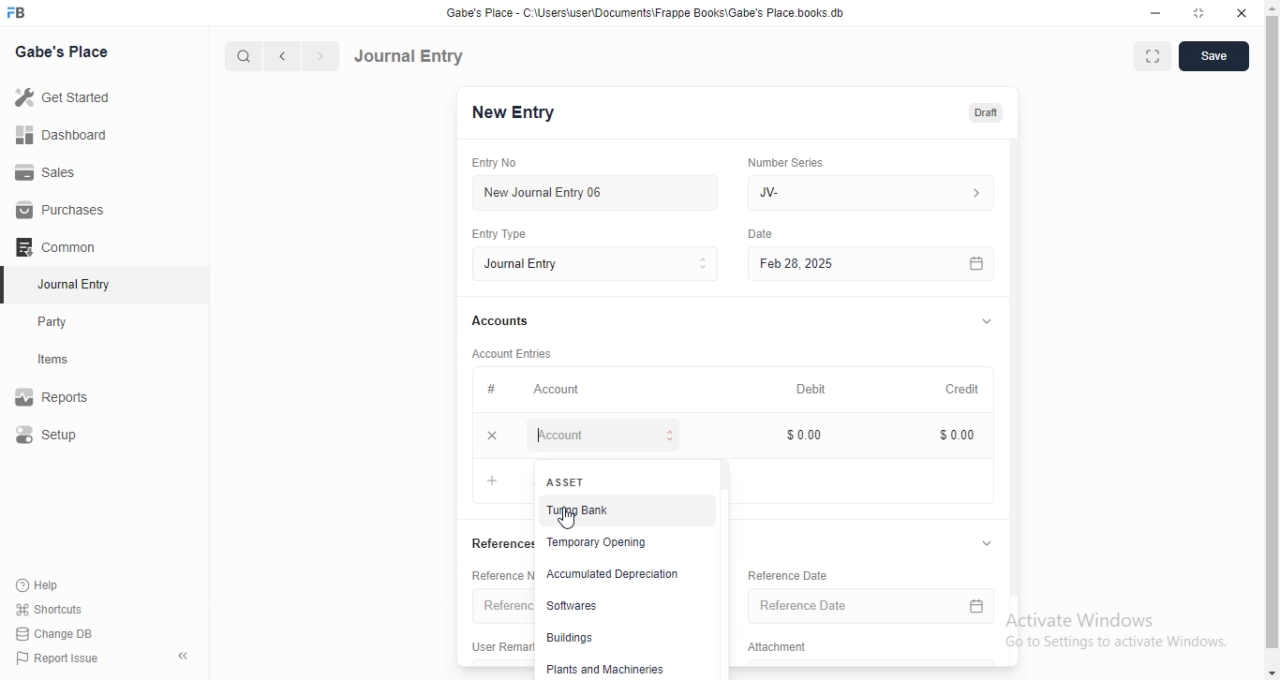 The width and height of the screenshot is (1280, 680). What do you see at coordinates (621, 639) in the screenshot?
I see `Buildings` at bounding box center [621, 639].